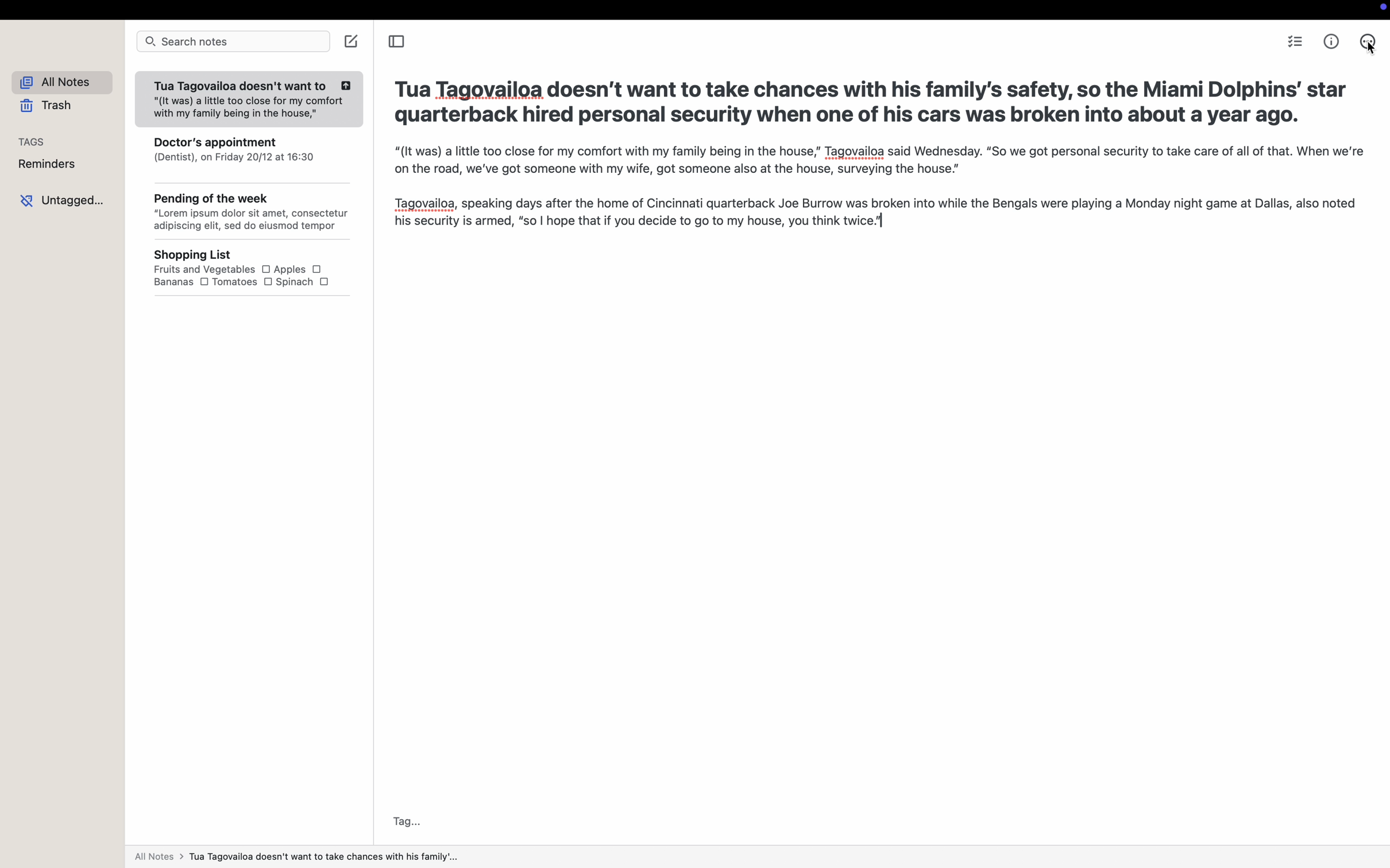 The image size is (1390, 868). What do you see at coordinates (60, 200) in the screenshot?
I see `untagged` at bounding box center [60, 200].